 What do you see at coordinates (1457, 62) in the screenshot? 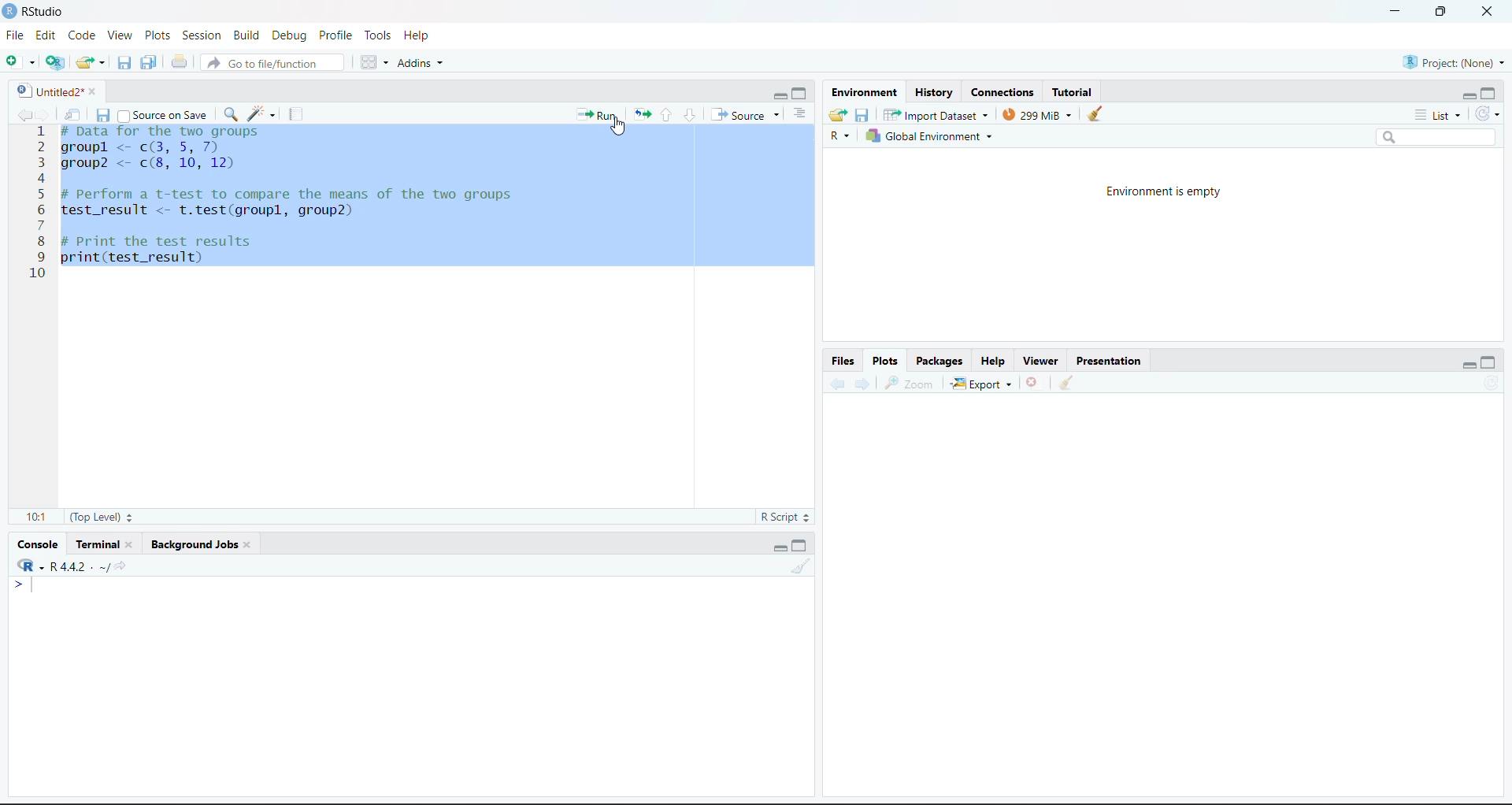
I see `Project(None)` at bounding box center [1457, 62].